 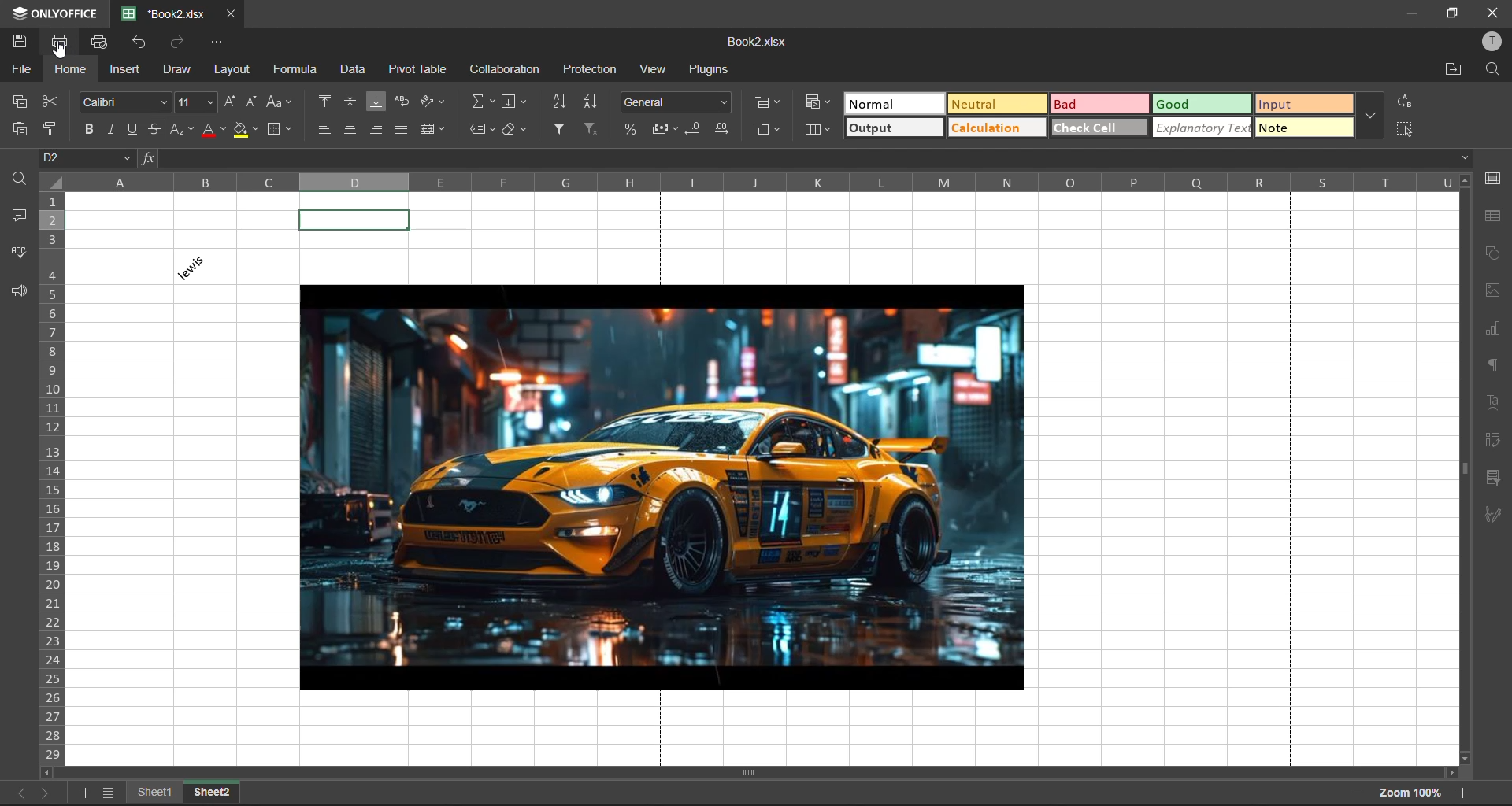 What do you see at coordinates (154, 129) in the screenshot?
I see `strikethrough` at bounding box center [154, 129].